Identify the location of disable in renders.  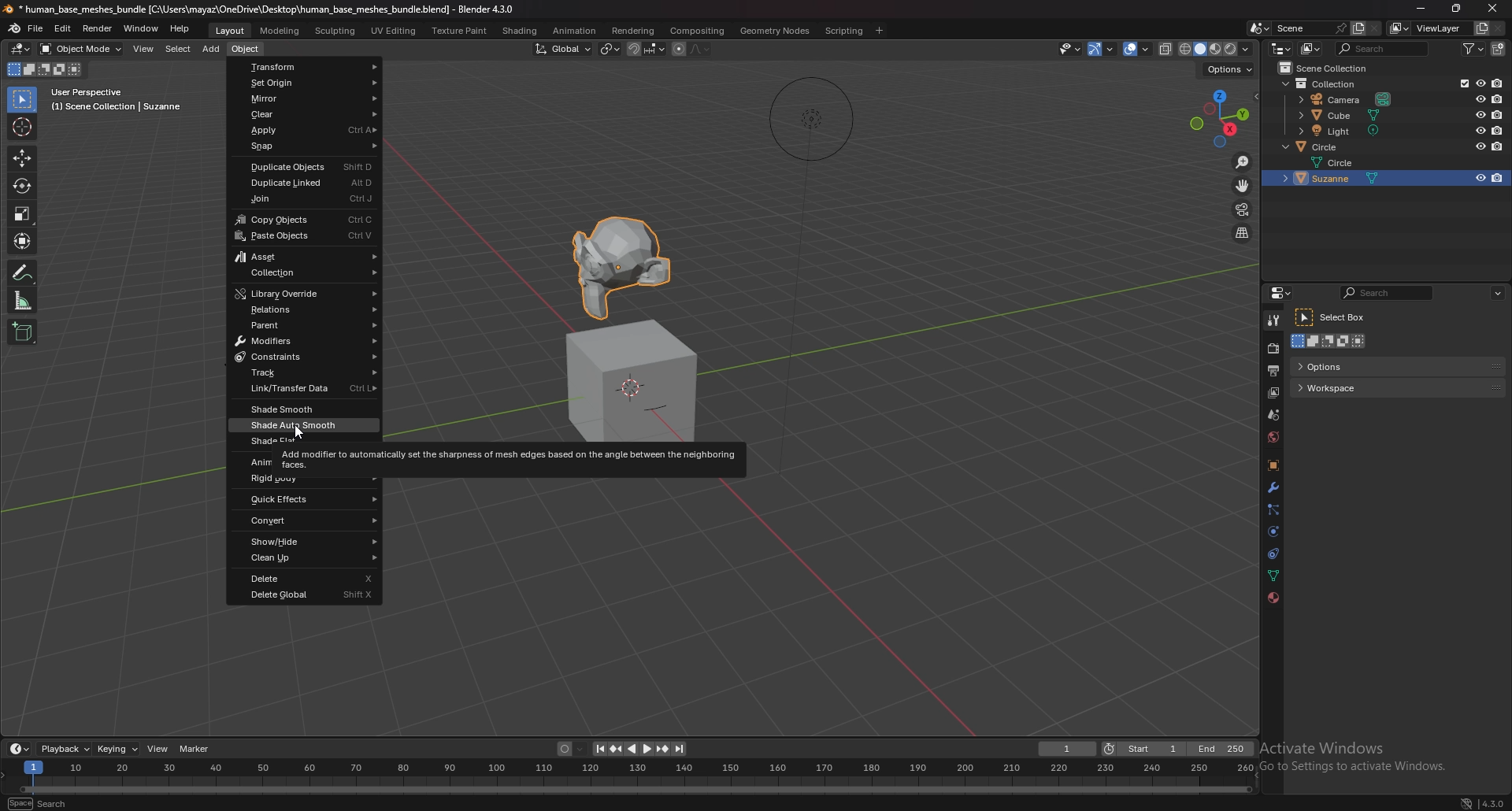
(1496, 113).